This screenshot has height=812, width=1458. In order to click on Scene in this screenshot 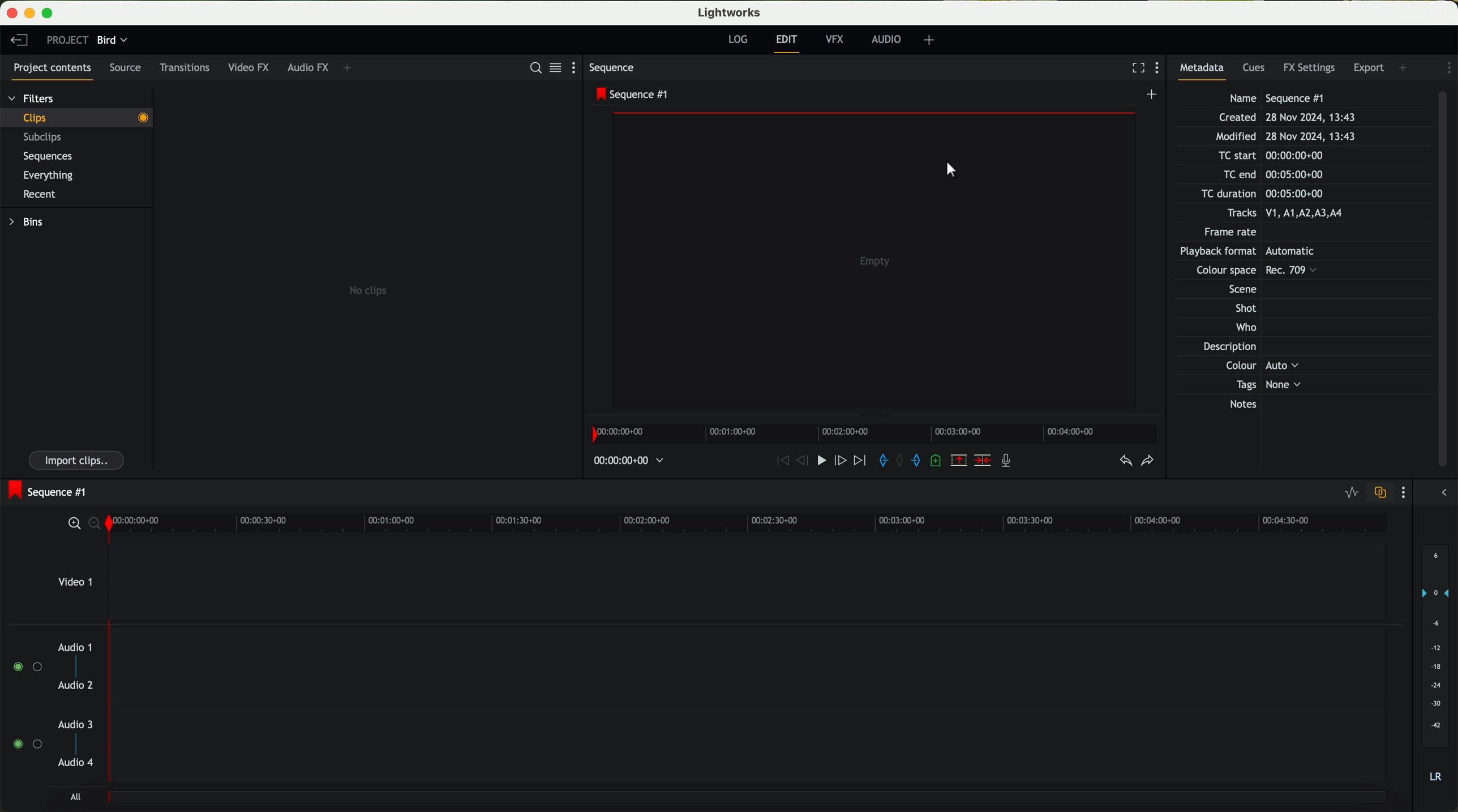, I will do `click(1286, 289)`.